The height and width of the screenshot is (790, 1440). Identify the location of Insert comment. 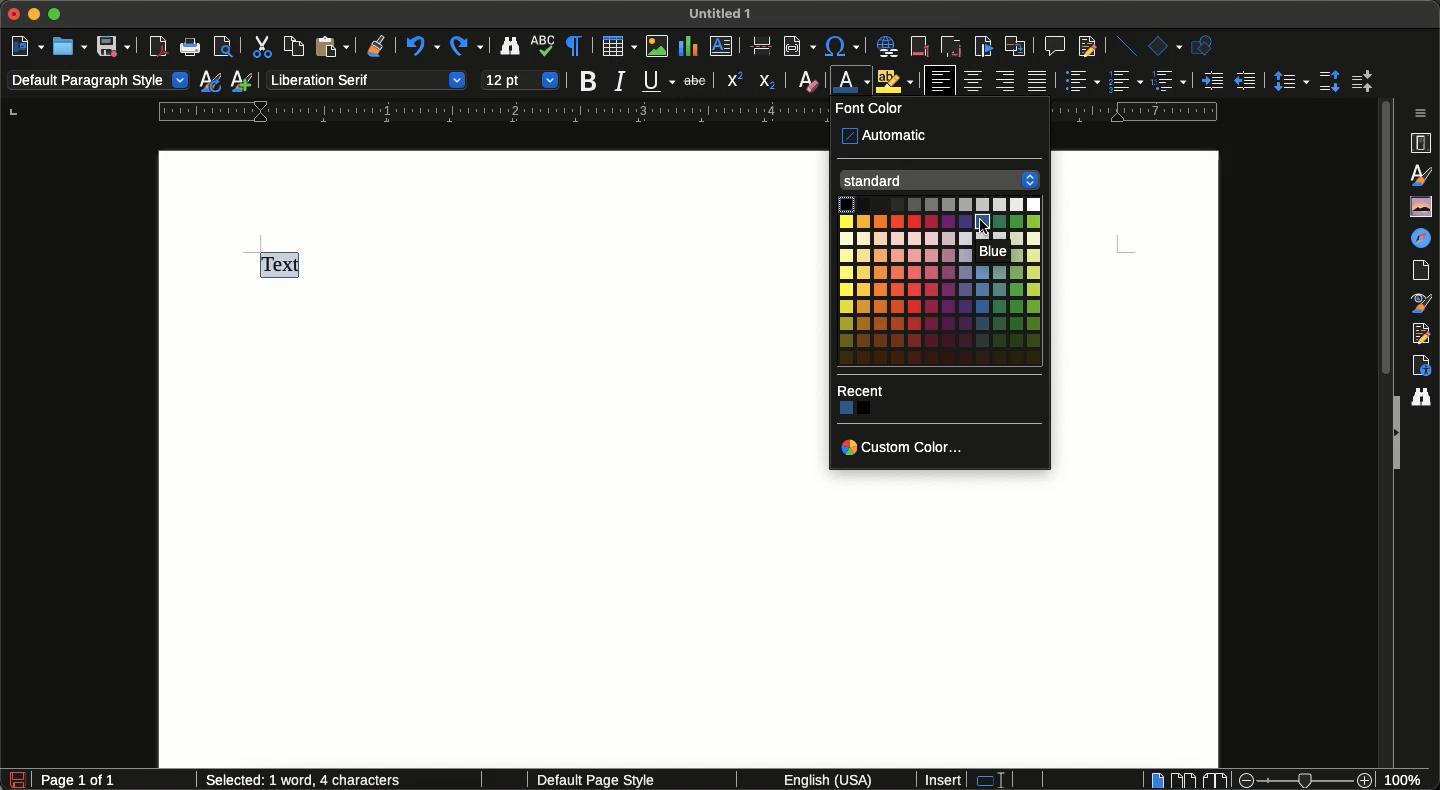
(1053, 45).